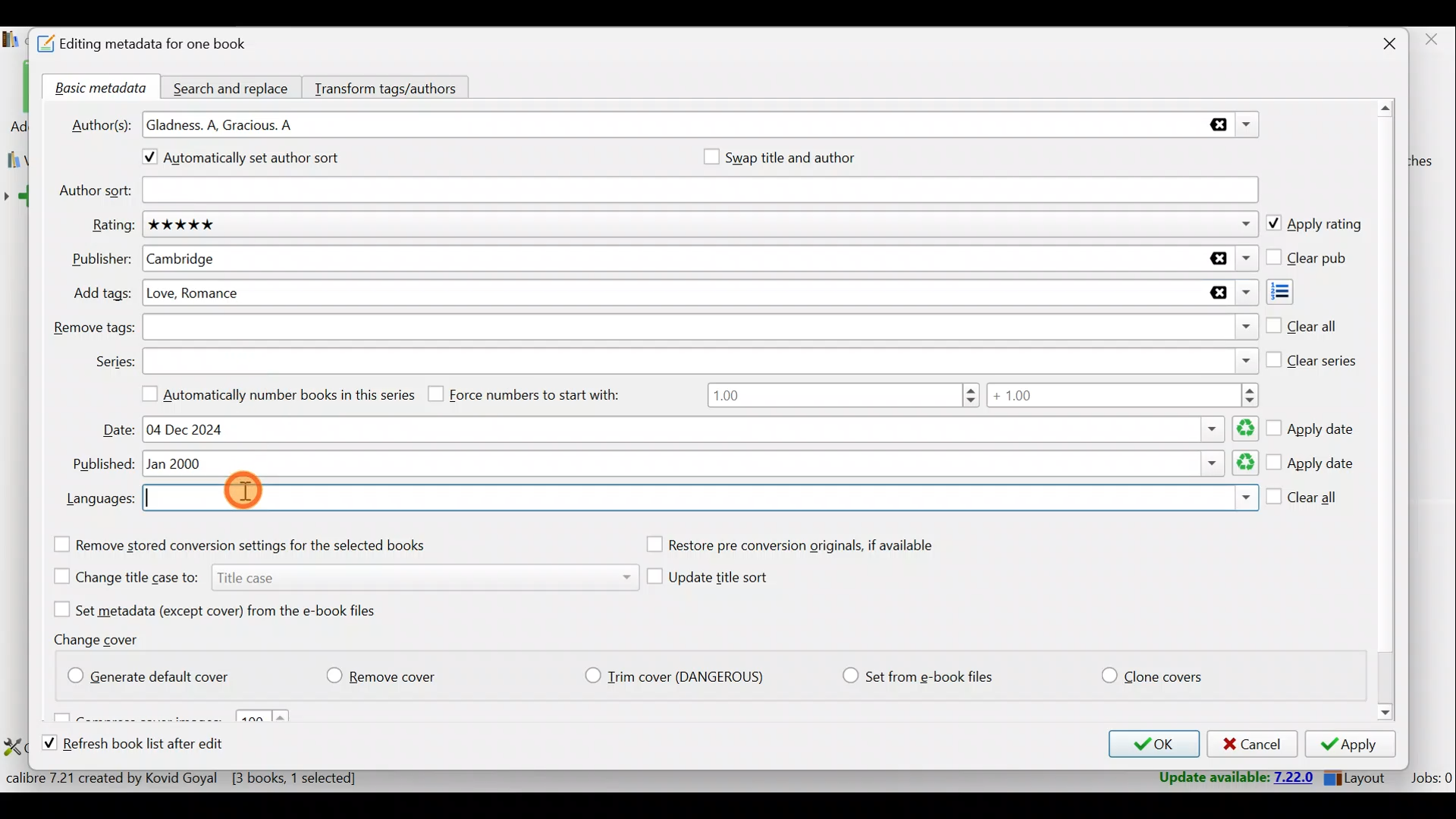  Describe the element at coordinates (1234, 778) in the screenshot. I see `Update` at that location.